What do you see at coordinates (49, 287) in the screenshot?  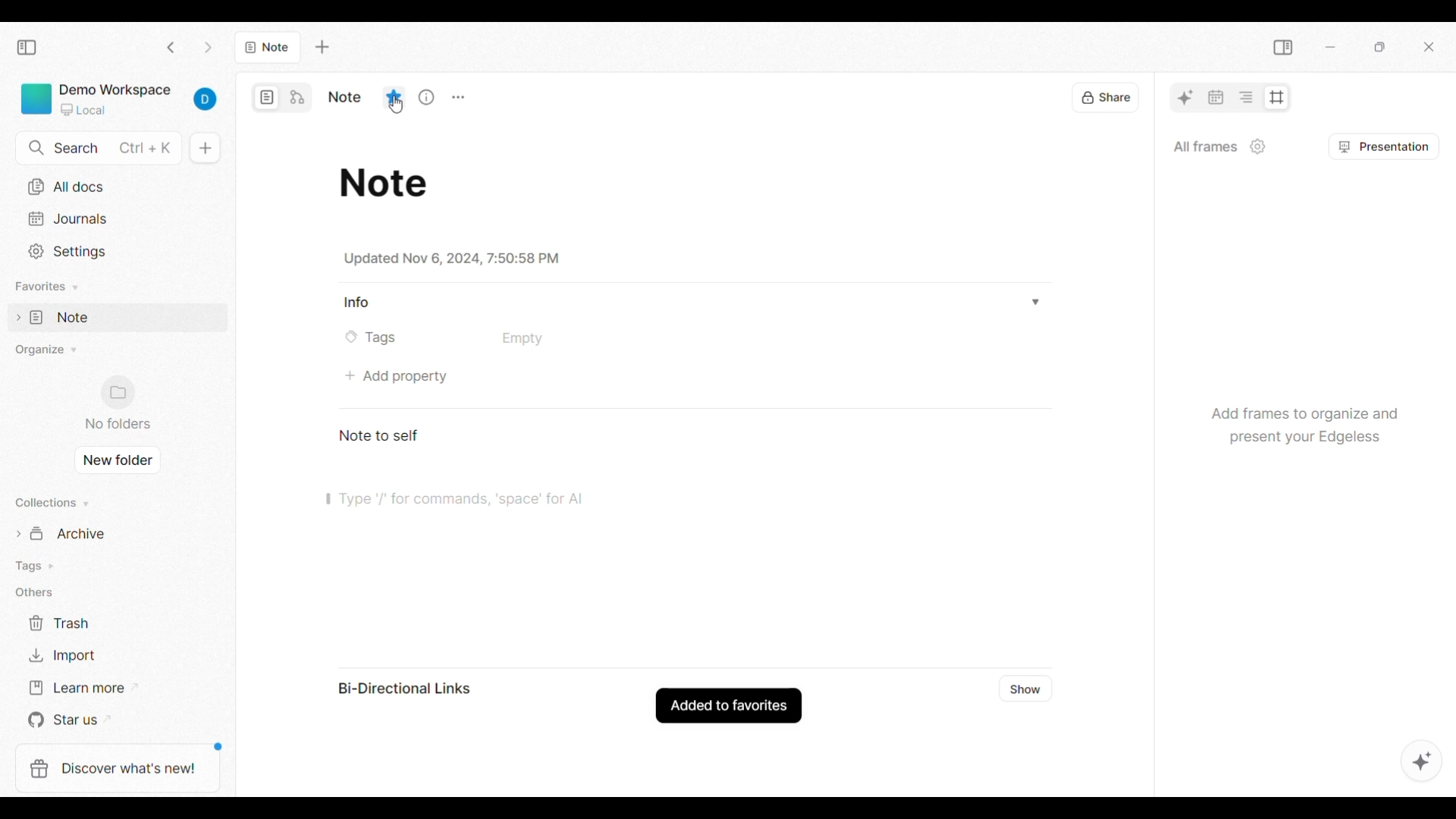 I see `Favorites +` at bounding box center [49, 287].